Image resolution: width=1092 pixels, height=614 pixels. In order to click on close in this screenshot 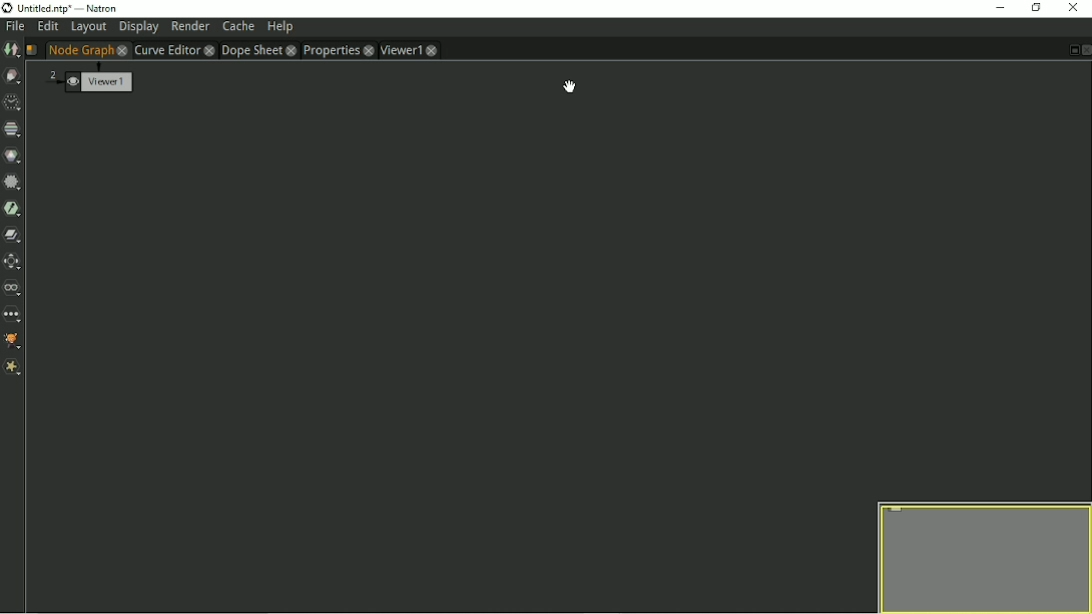, I will do `click(121, 50)`.